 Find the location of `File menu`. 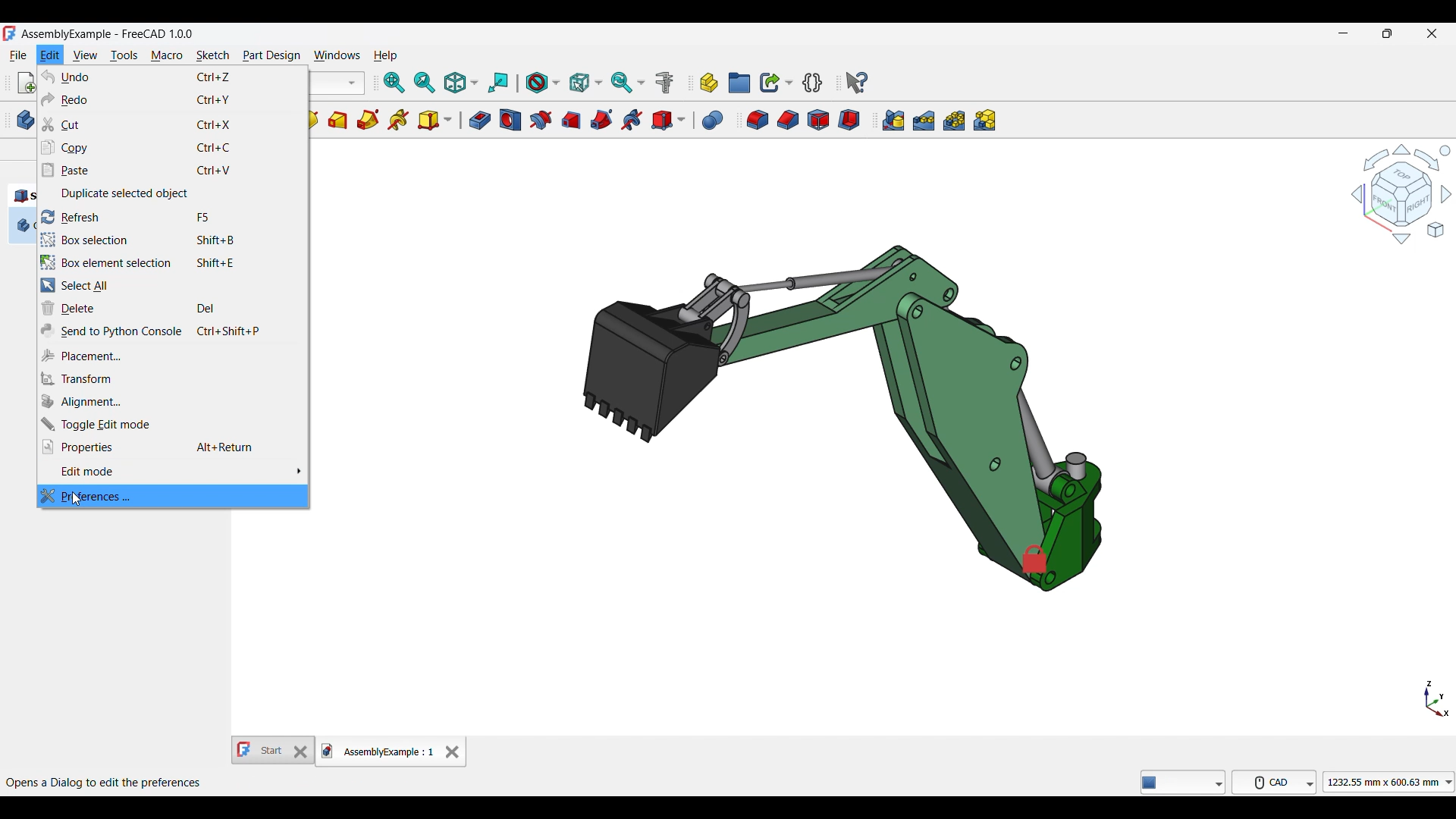

File menu is located at coordinates (18, 56).